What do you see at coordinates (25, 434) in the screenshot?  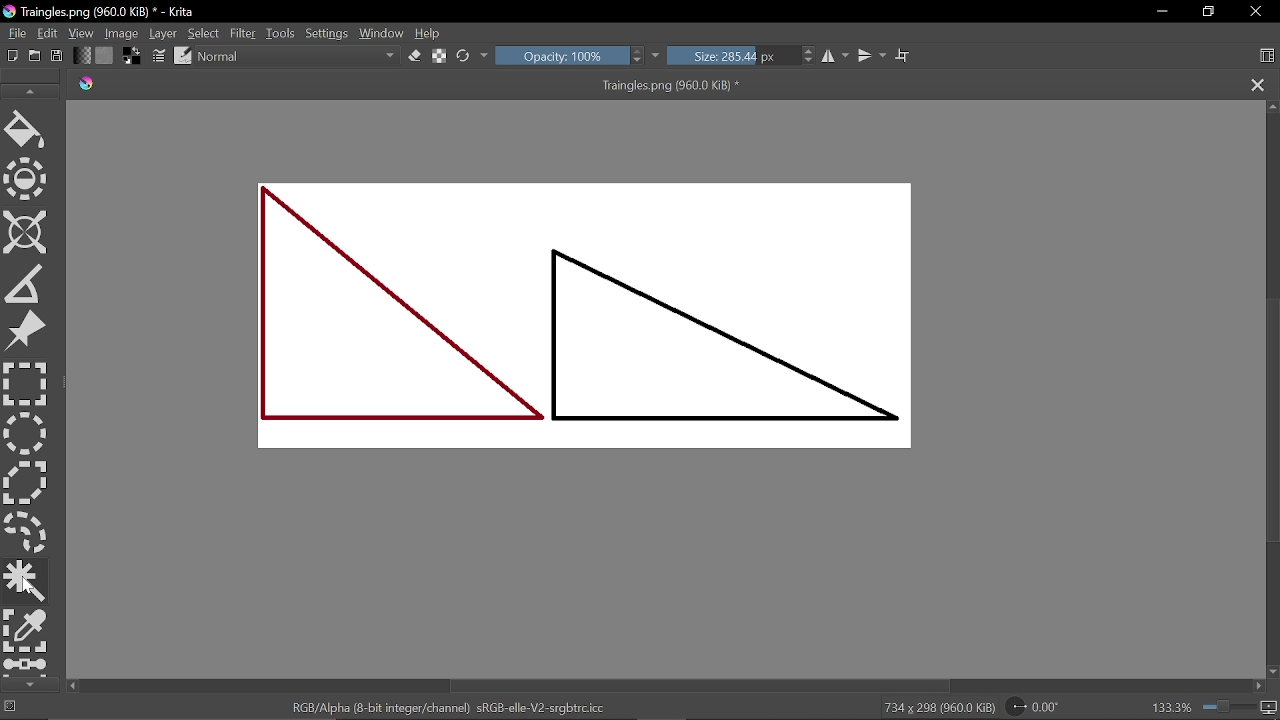 I see `Ellipse select tool` at bounding box center [25, 434].